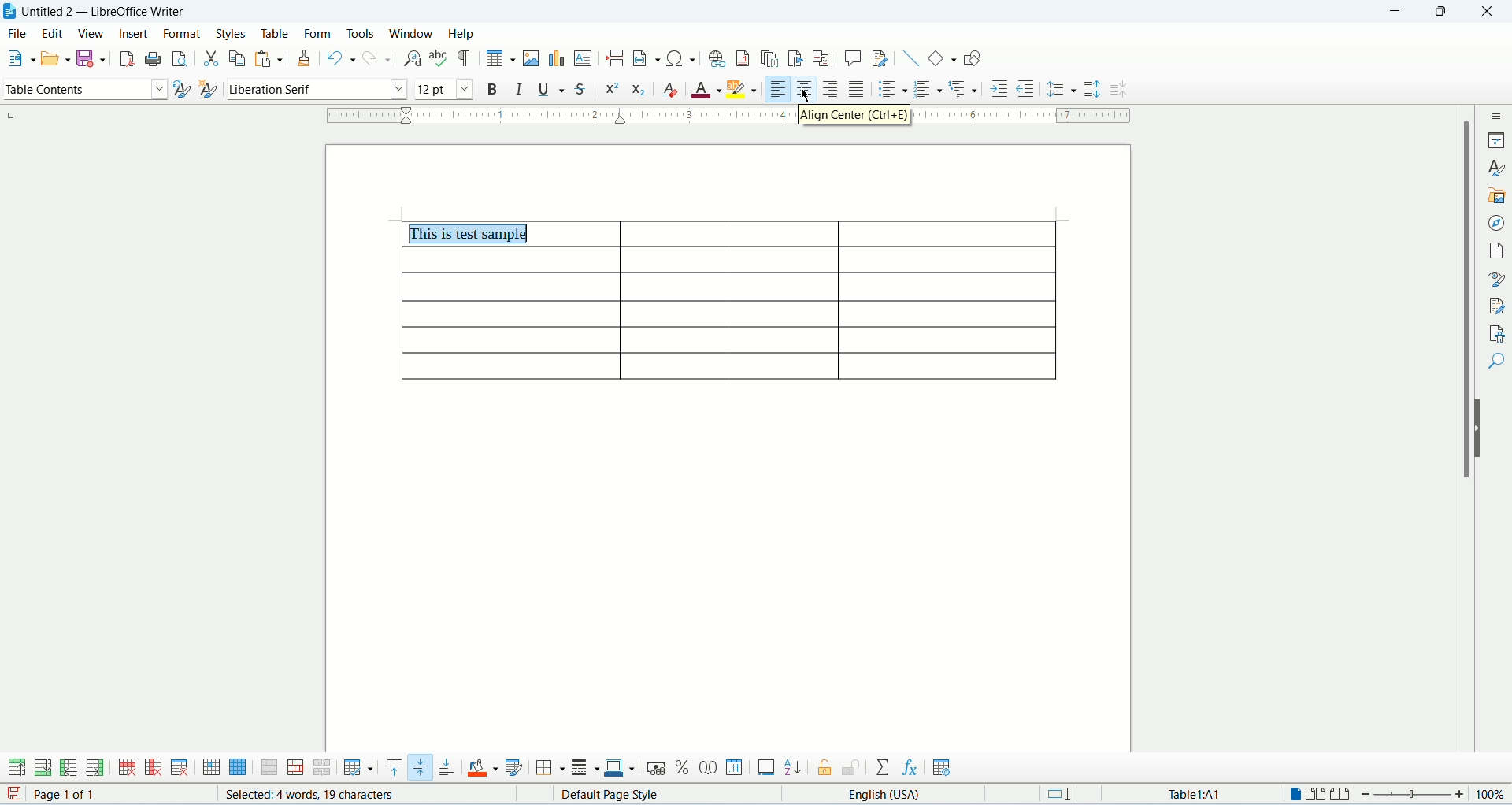  I want to click on basic shapes, so click(943, 57).